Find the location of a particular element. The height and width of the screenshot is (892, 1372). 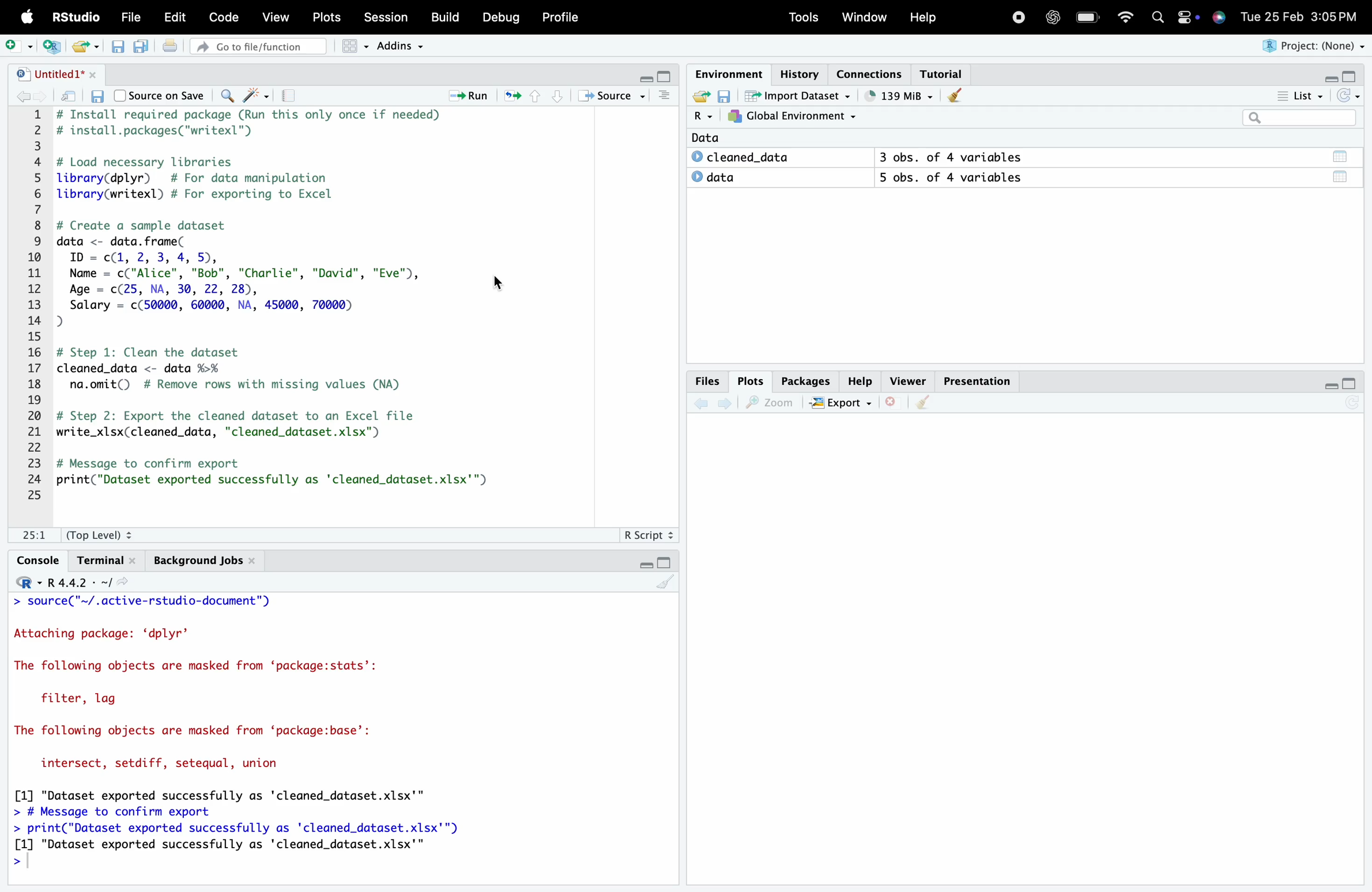

List is located at coordinates (1301, 96).